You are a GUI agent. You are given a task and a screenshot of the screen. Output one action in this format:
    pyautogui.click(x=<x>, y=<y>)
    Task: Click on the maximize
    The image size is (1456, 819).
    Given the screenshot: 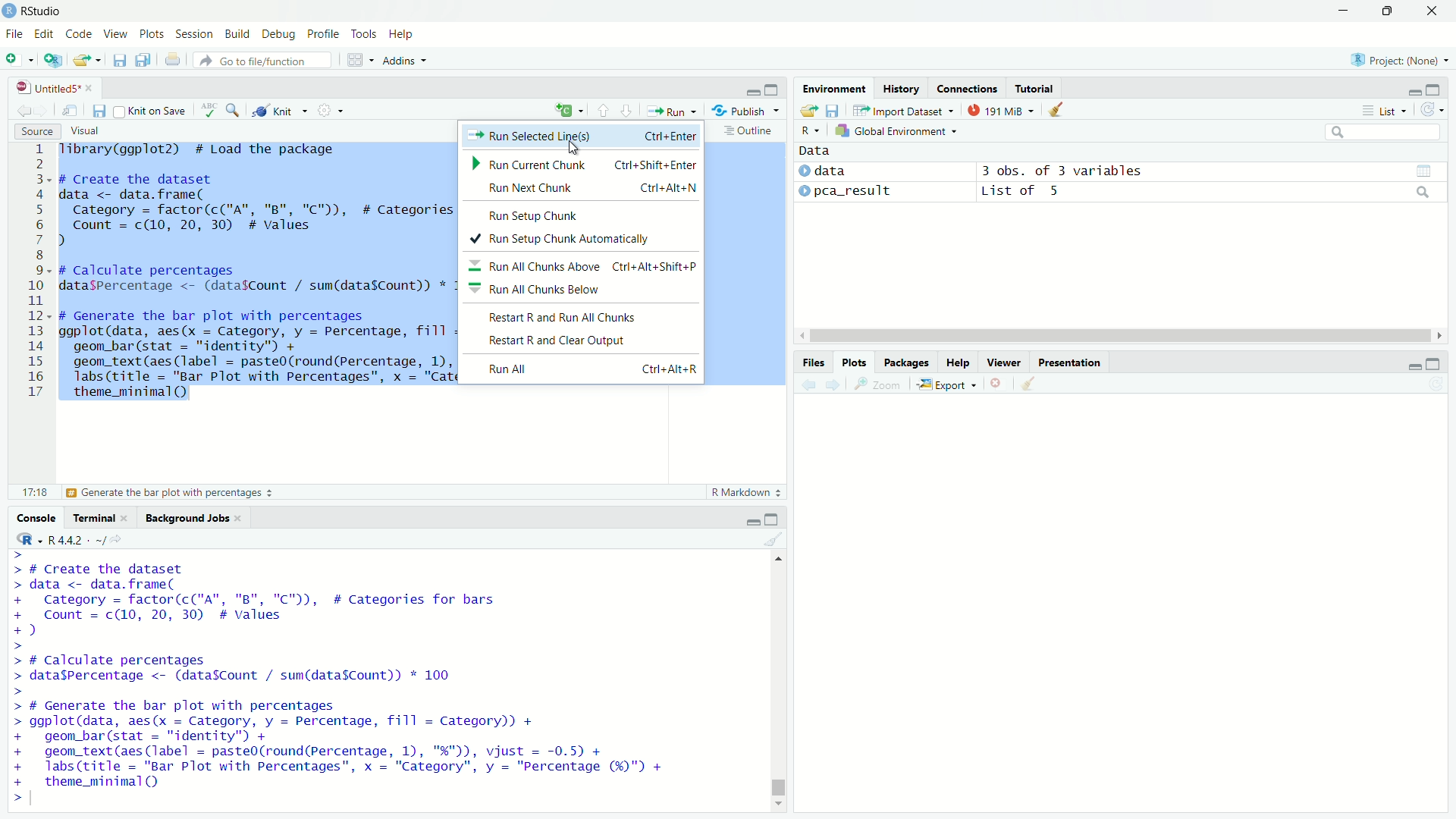 What is the action you would take?
    pyautogui.click(x=776, y=518)
    